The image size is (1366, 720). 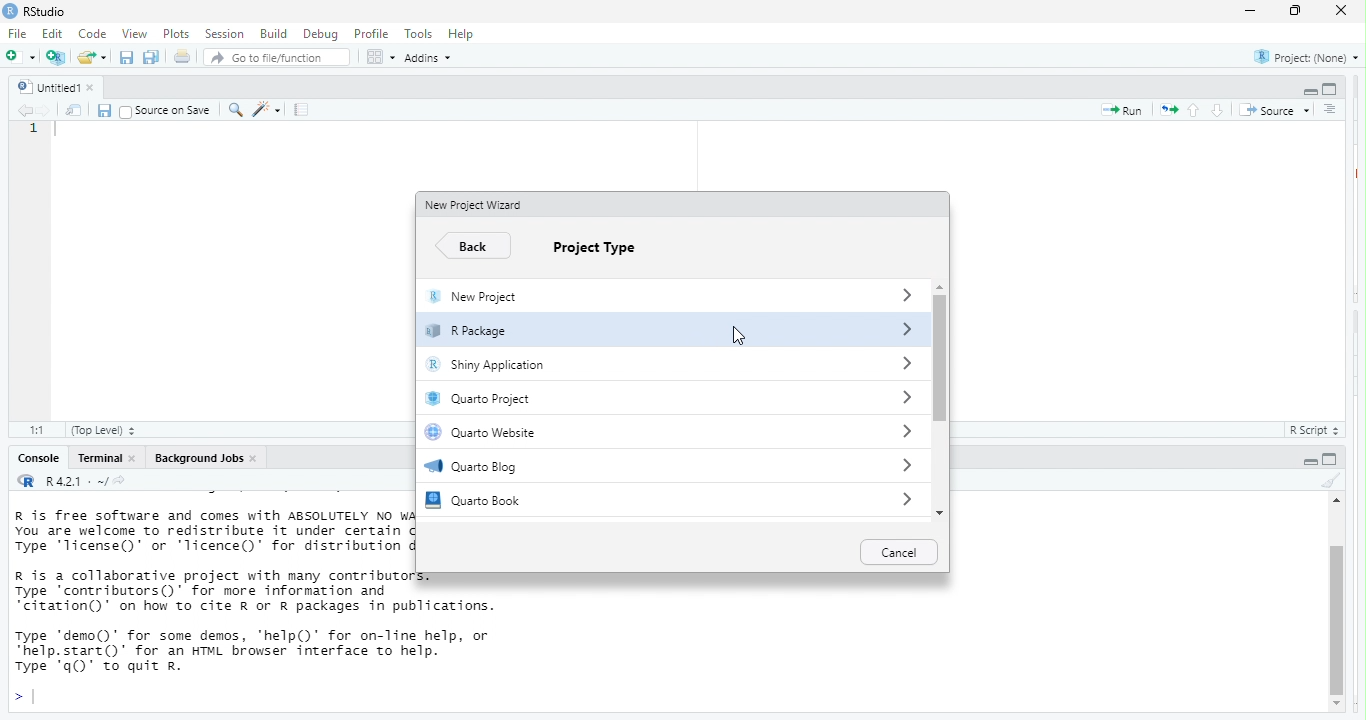 What do you see at coordinates (1334, 503) in the screenshot?
I see `scroll up` at bounding box center [1334, 503].